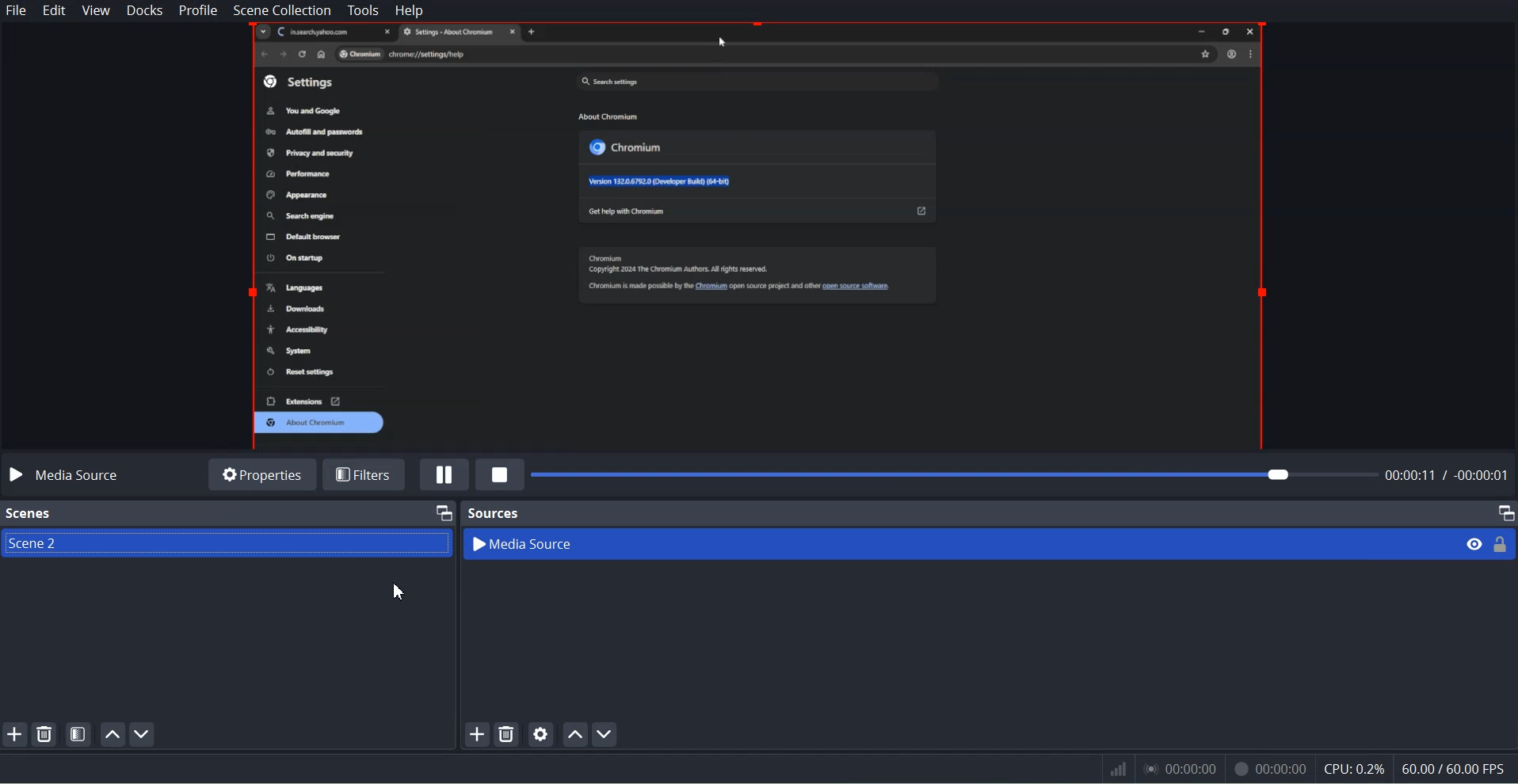 This screenshot has height=784, width=1518. What do you see at coordinates (541, 733) in the screenshot?
I see `Open source Properties` at bounding box center [541, 733].